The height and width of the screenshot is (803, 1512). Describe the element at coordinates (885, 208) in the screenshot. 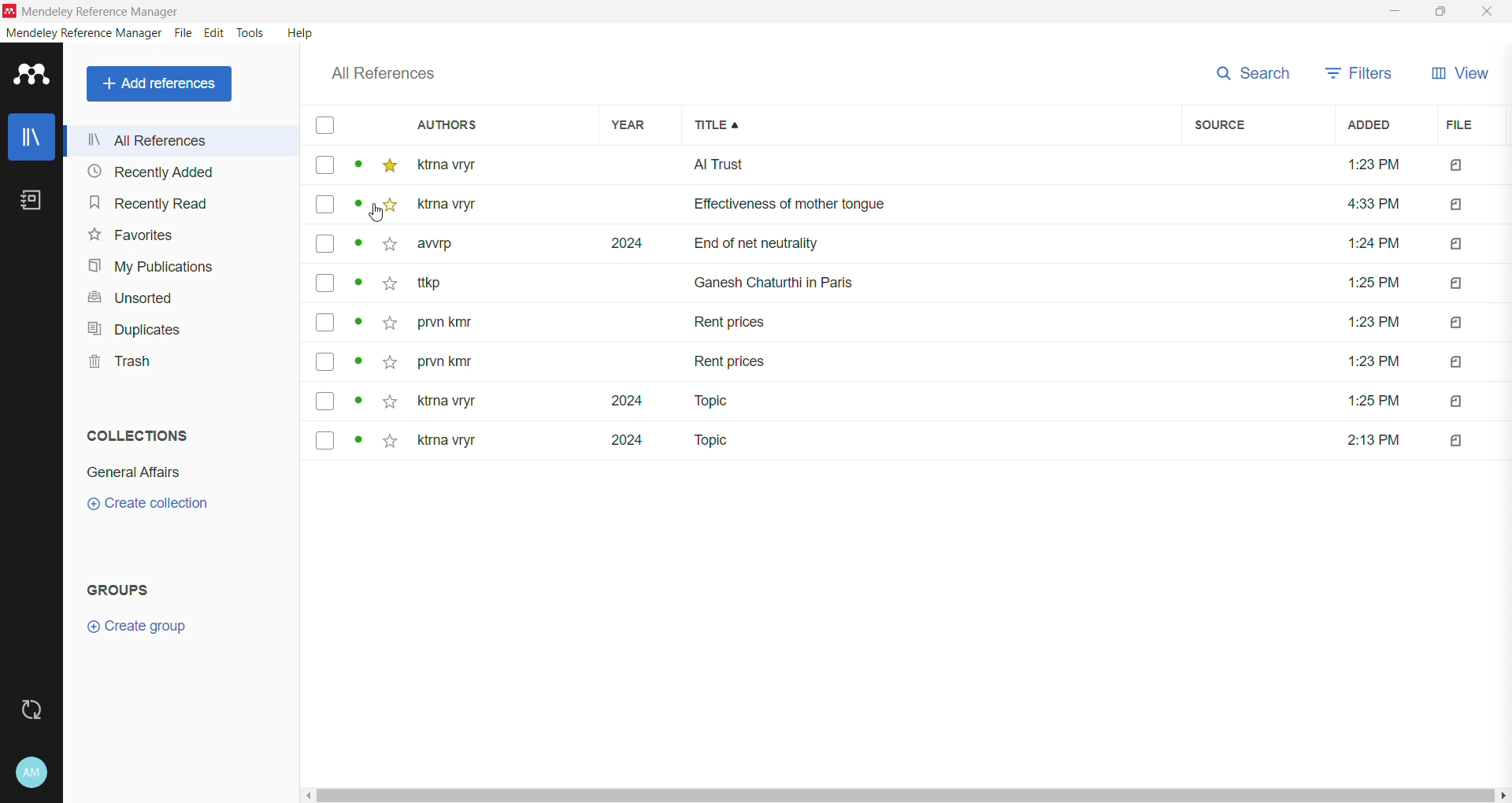

I see `effectiveness of mother ton` at that location.